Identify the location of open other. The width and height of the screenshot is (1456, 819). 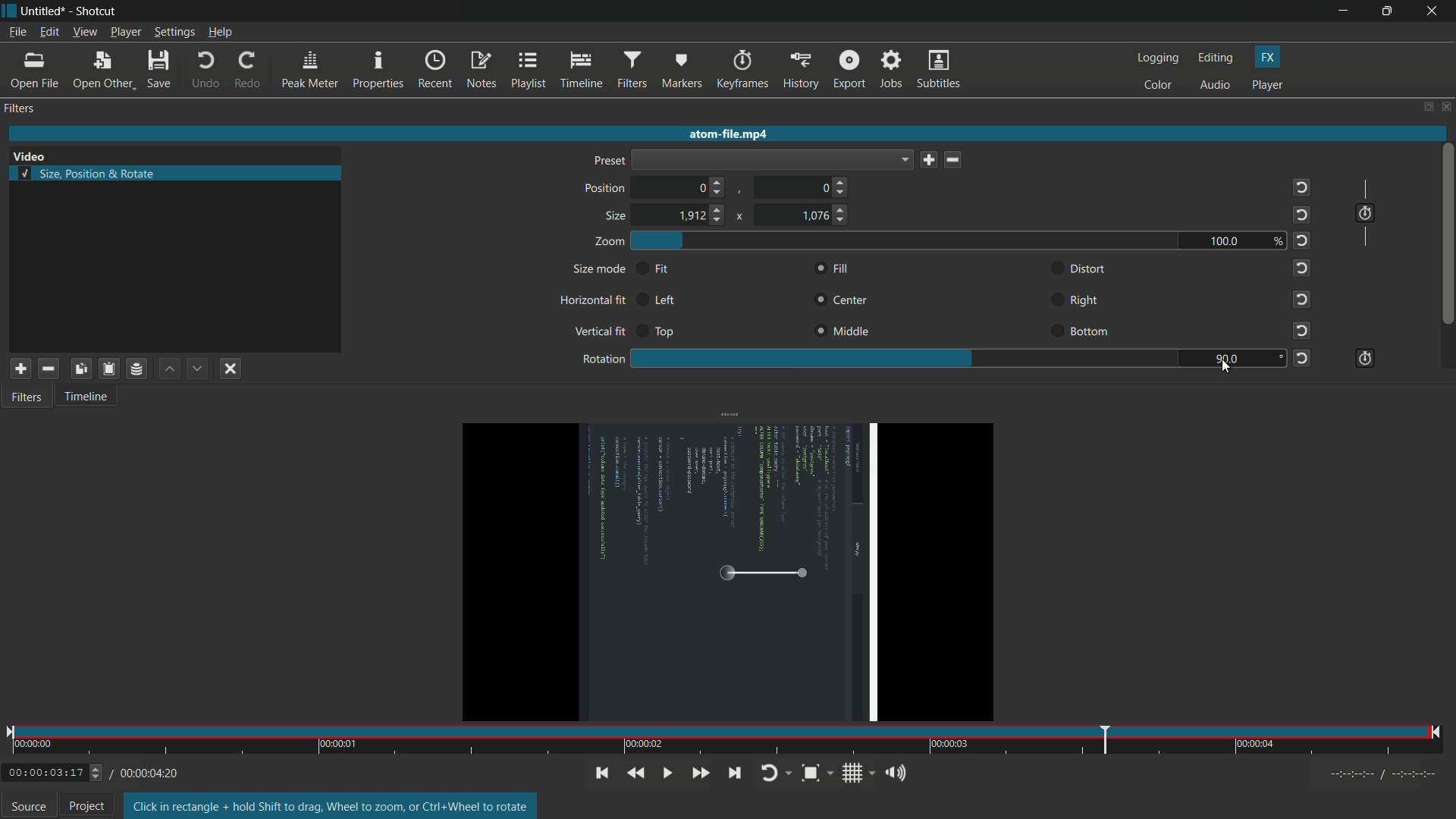
(99, 71).